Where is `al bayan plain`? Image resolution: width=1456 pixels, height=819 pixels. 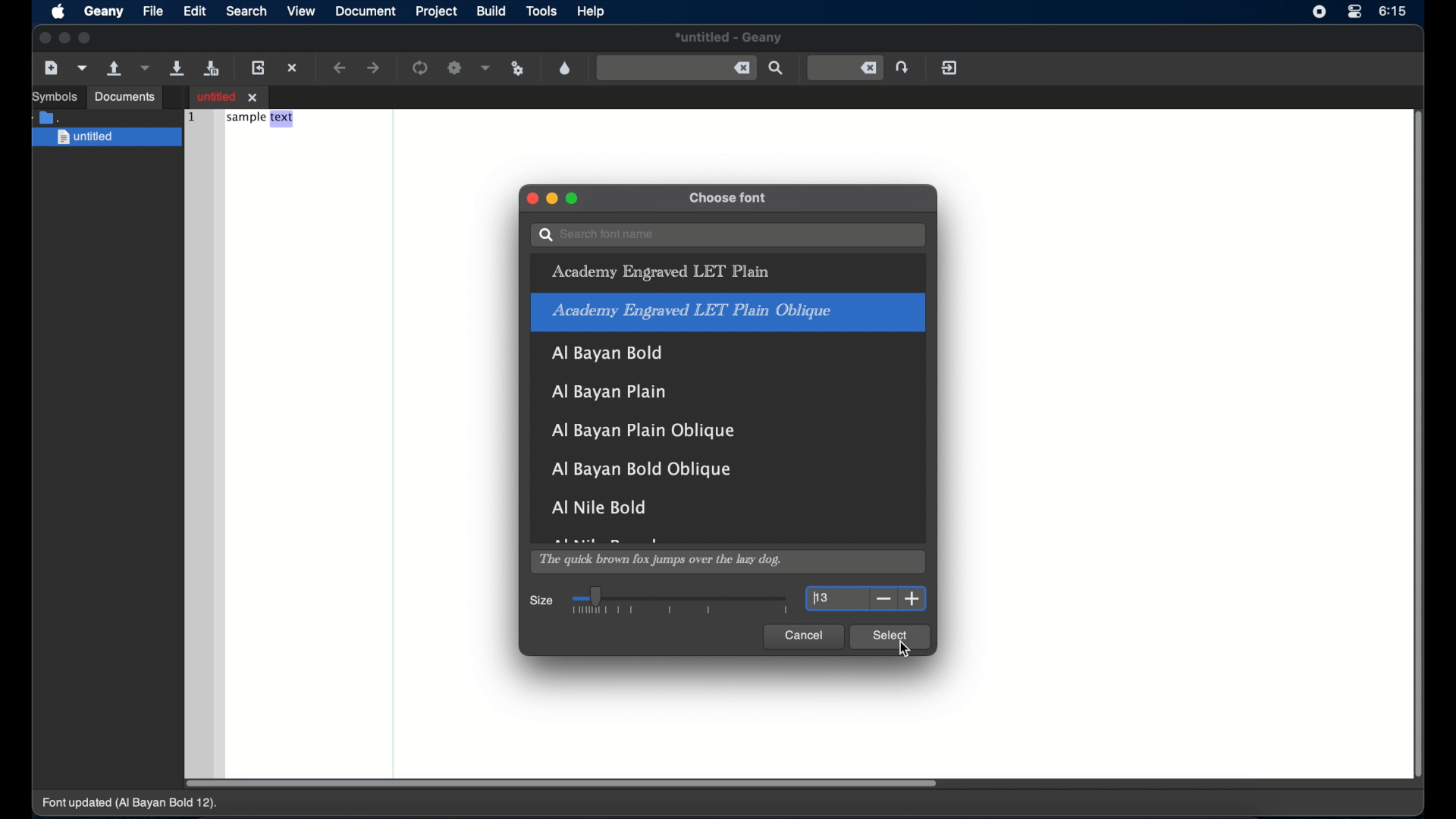
al bayan plain is located at coordinates (609, 392).